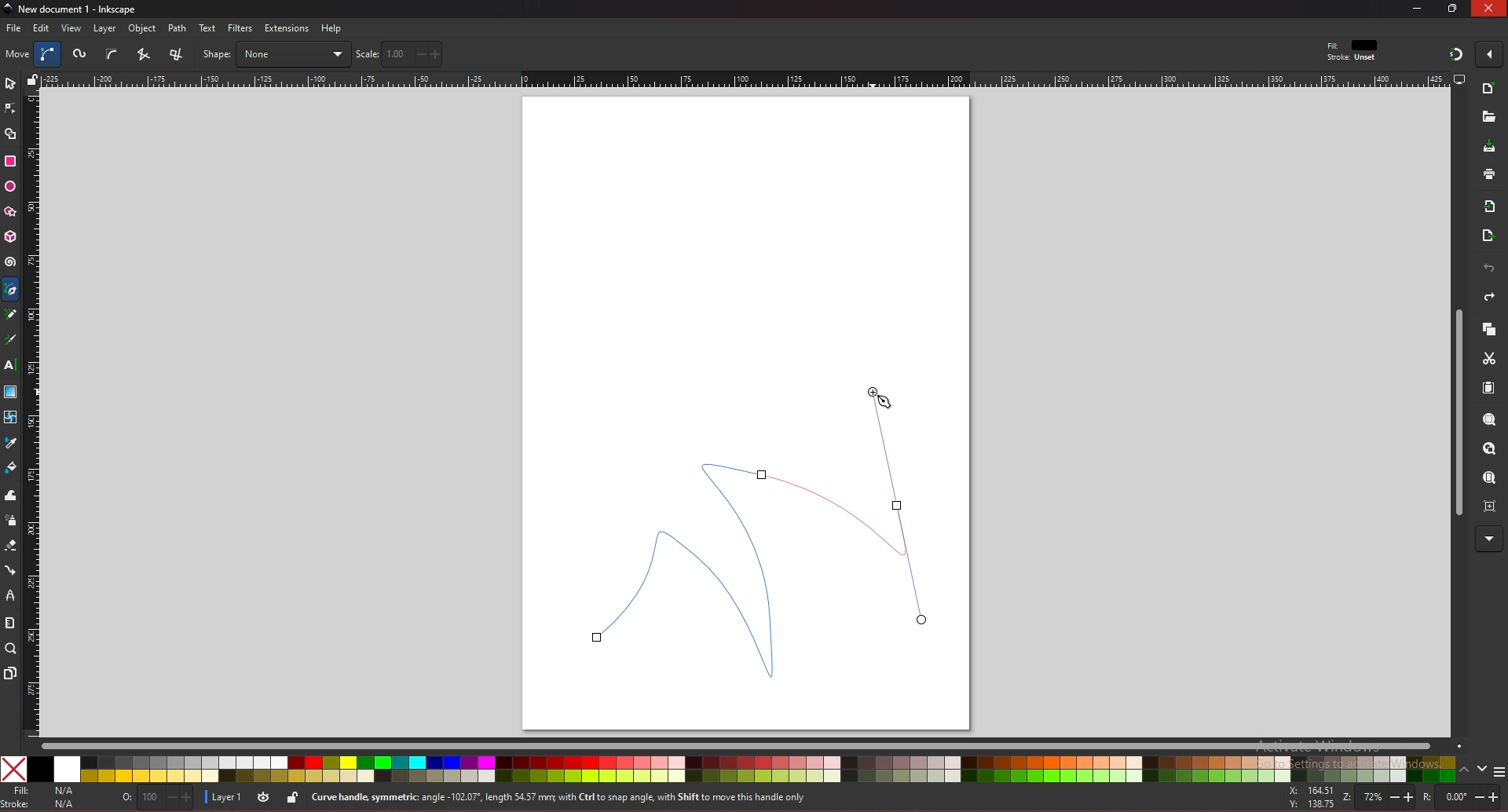 The width and height of the screenshot is (1508, 812). What do you see at coordinates (1354, 46) in the screenshot?
I see `fit` at bounding box center [1354, 46].